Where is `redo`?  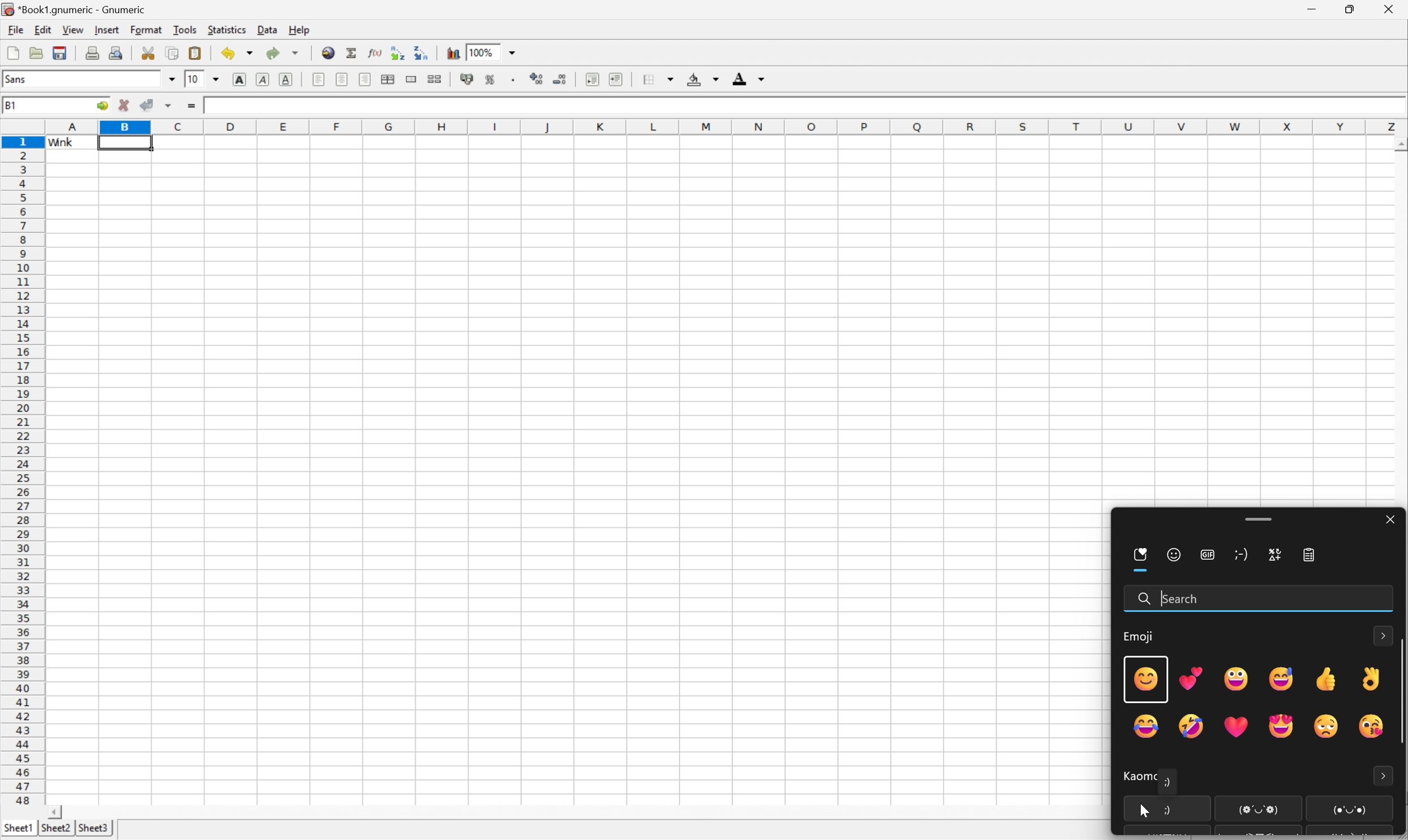
redo is located at coordinates (284, 55).